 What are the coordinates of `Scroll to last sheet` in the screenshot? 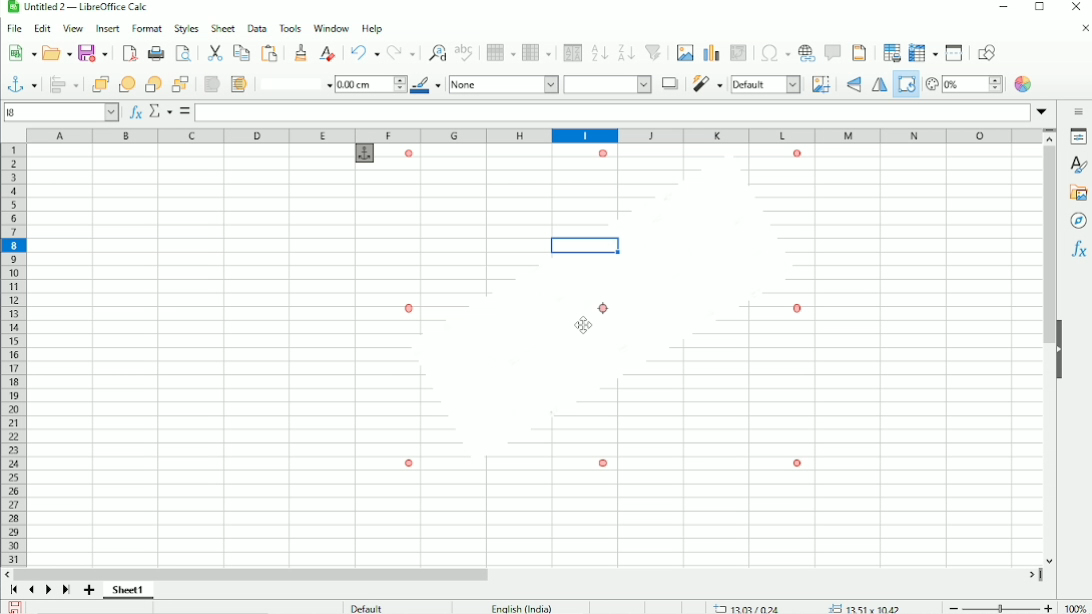 It's located at (66, 591).